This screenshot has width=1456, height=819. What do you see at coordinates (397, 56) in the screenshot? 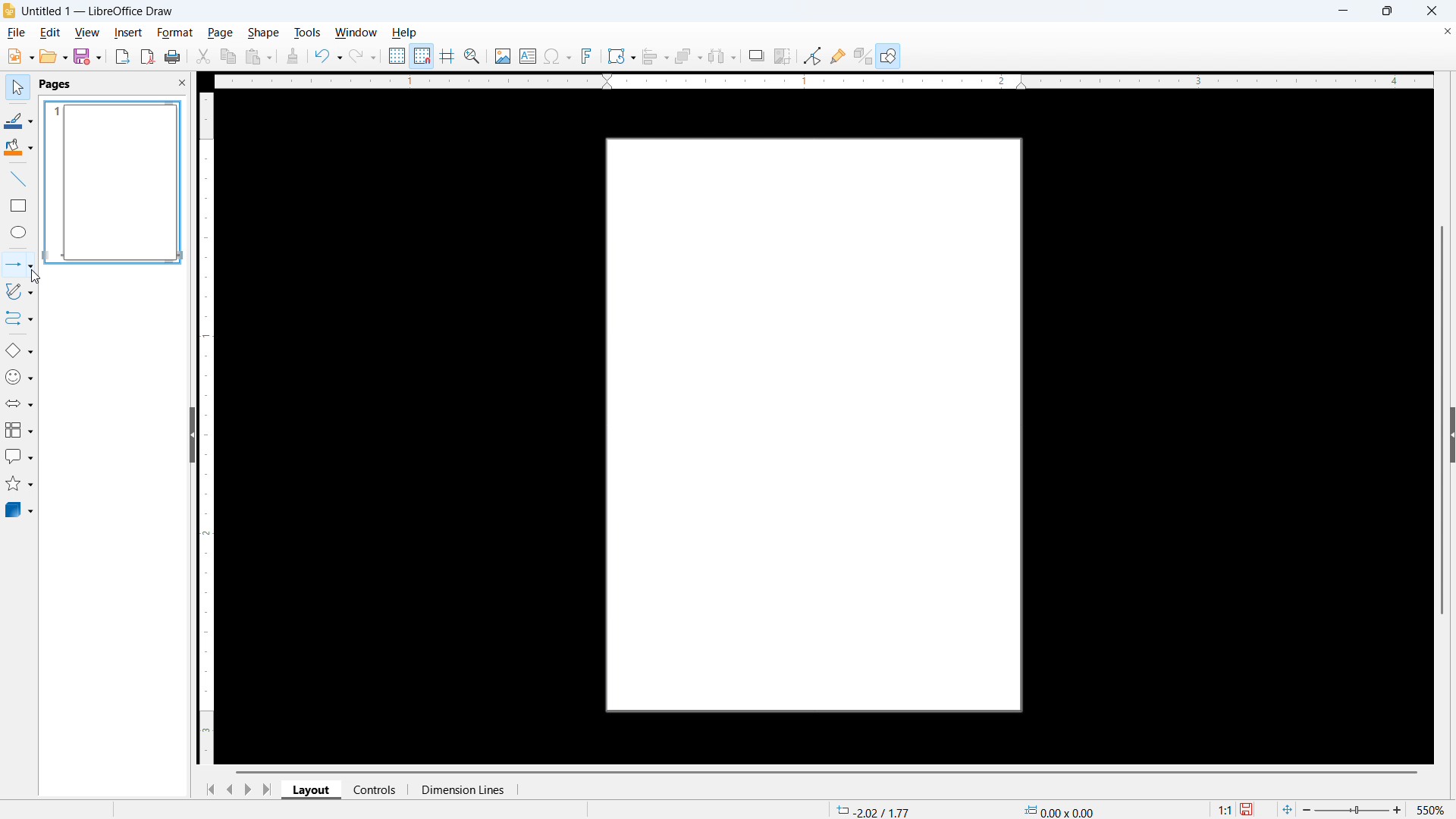
I see `Use grid ` at bounding box center [397, 56].